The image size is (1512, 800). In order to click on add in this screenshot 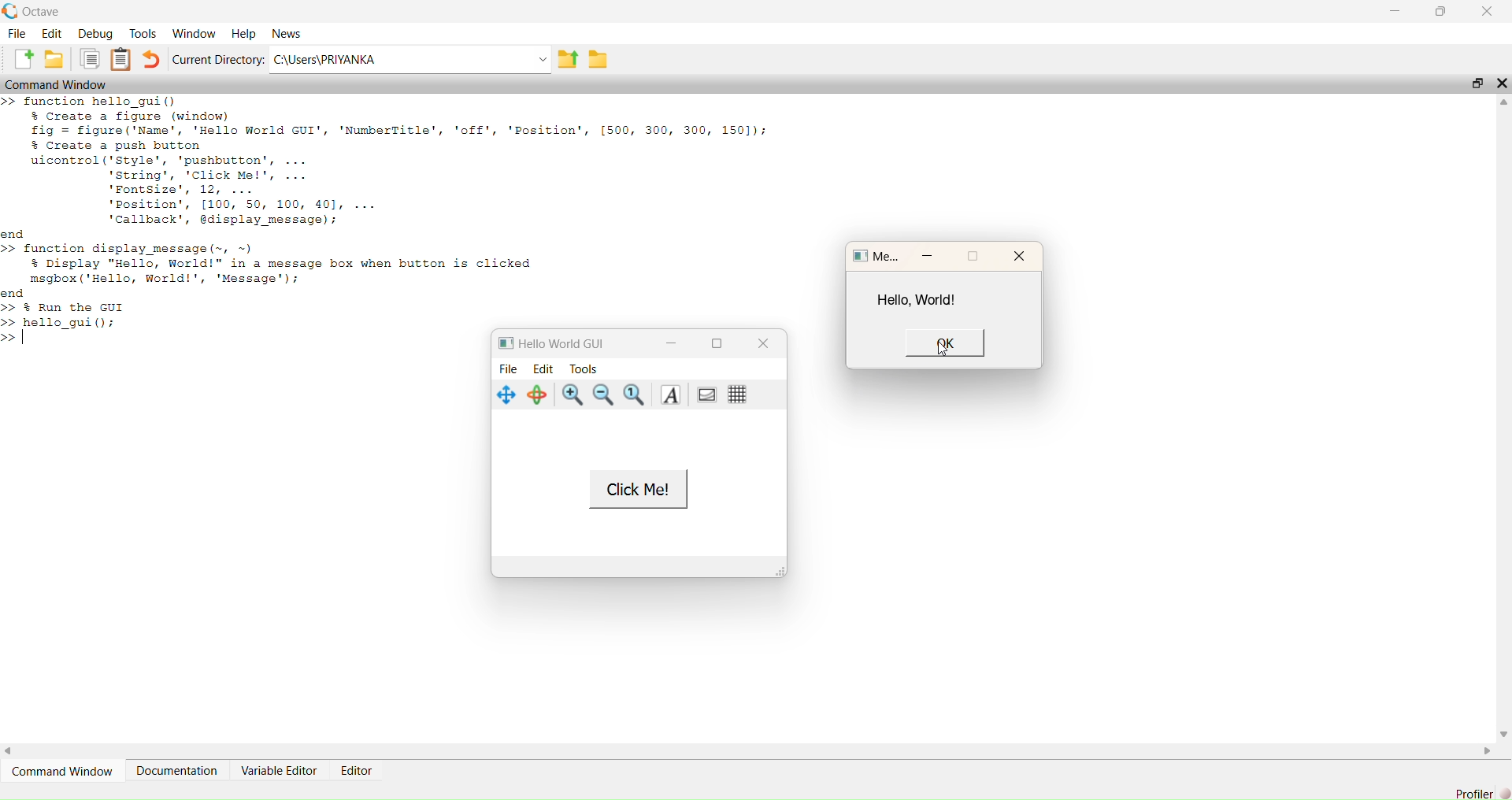, I will do `click(17, 57)`.